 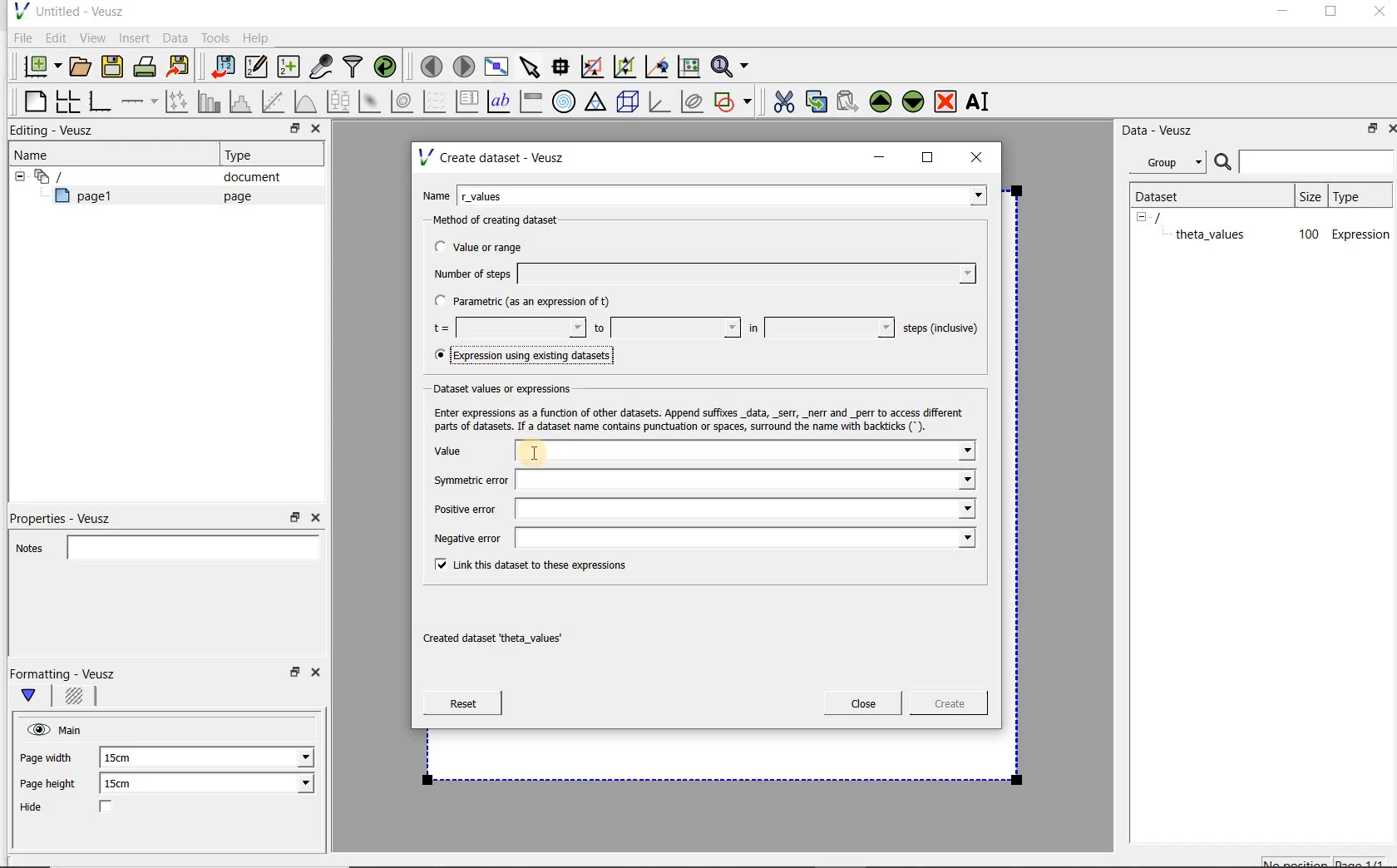 I want to click on close, so click(x=982, y=156).